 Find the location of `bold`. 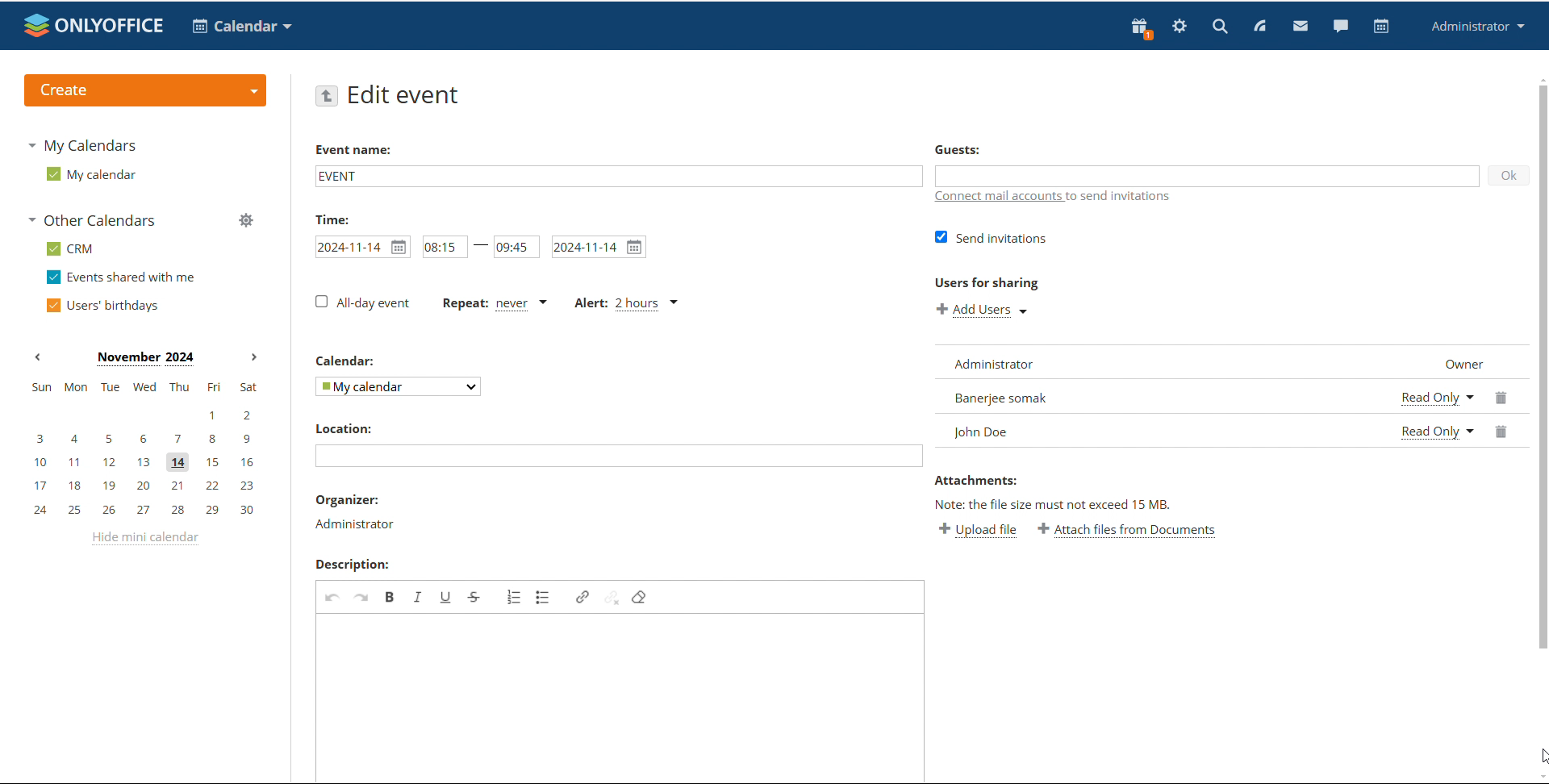

bold is located at coordinates (390, 596).